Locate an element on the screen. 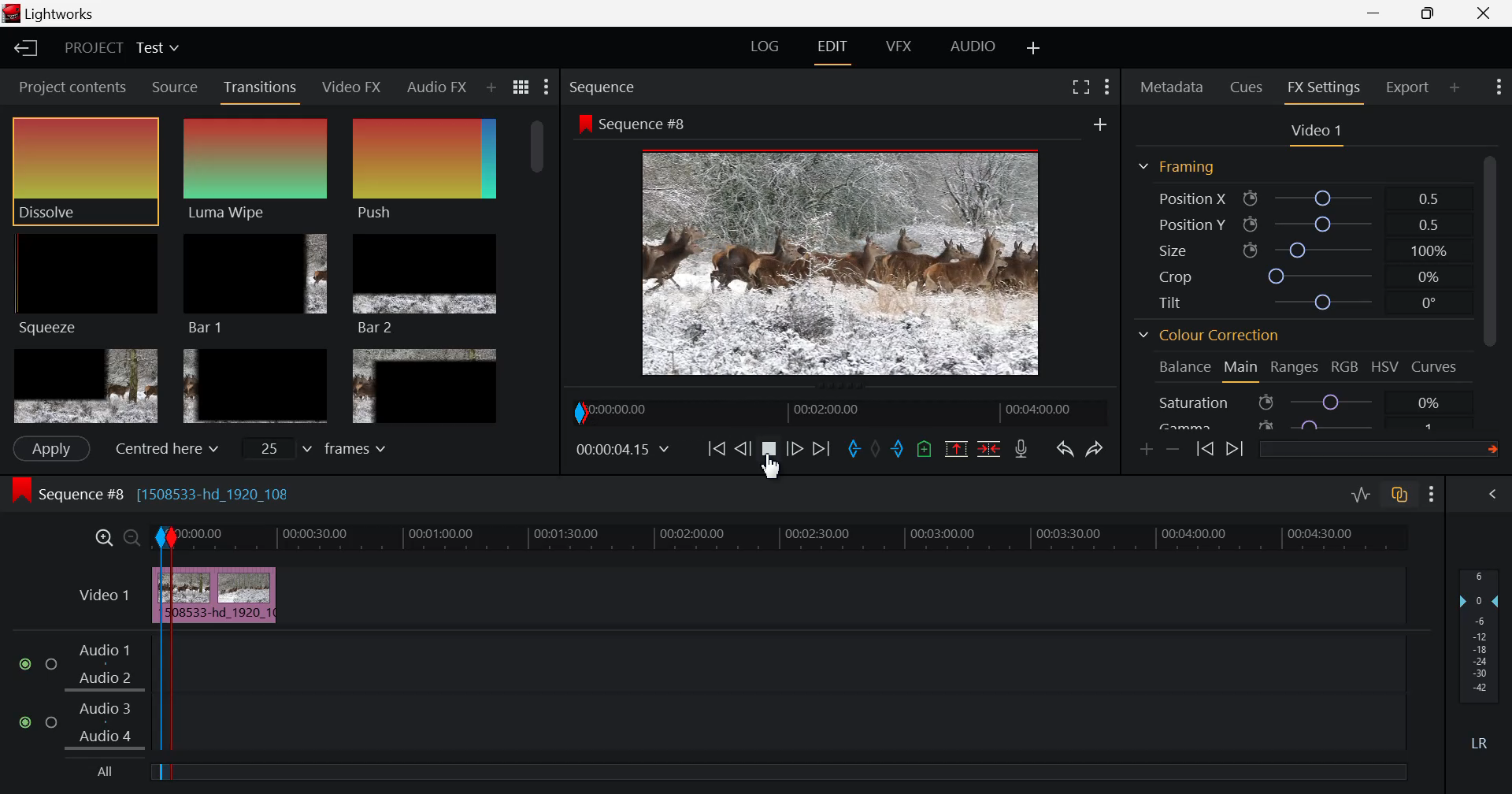  Redo is located at coordinates (1096, 445).